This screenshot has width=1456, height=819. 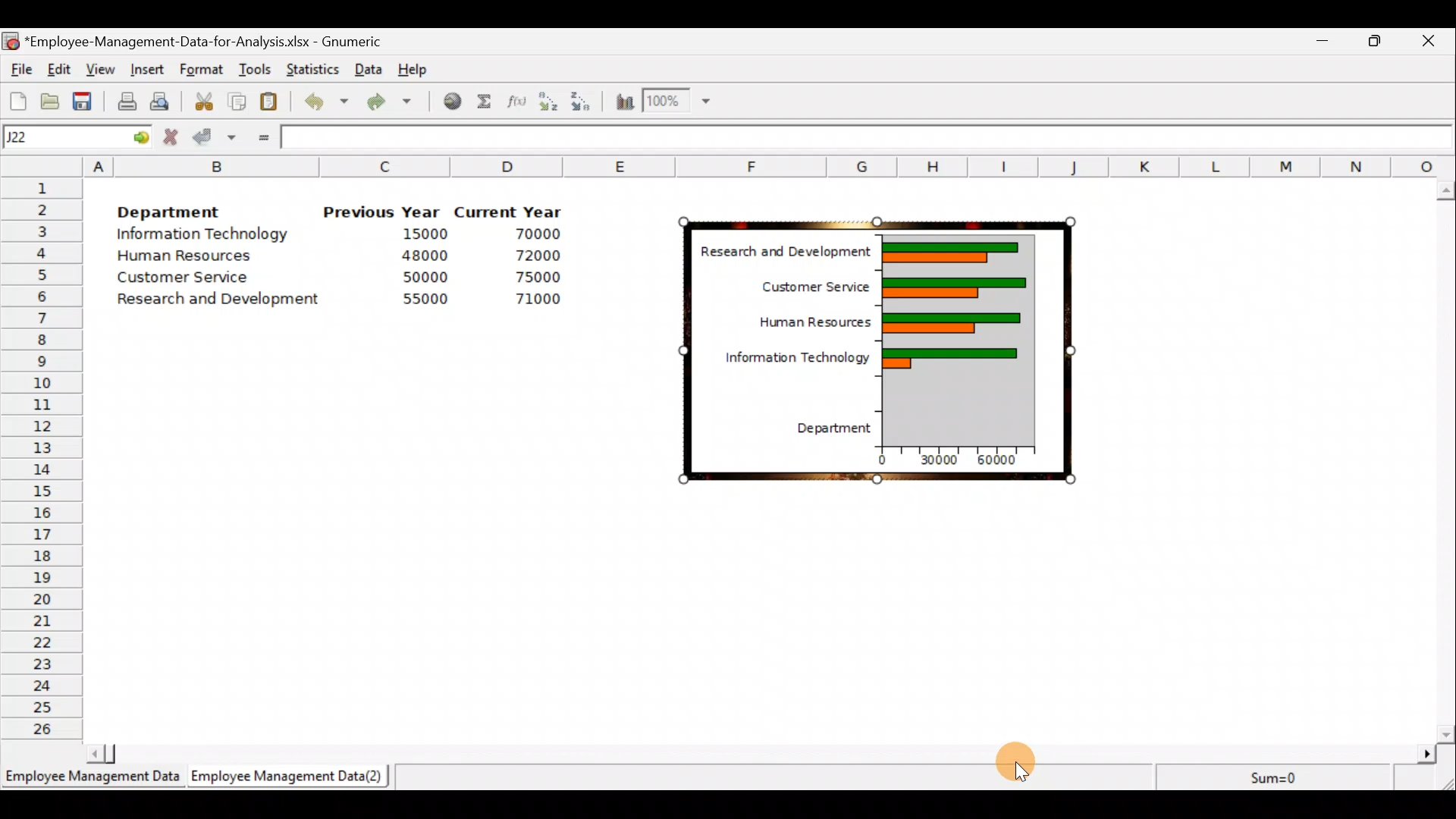 What do you see at coordinates (755, 753) in the screenshot?
I see `Scroll bar` at bounding box center [755, 753].